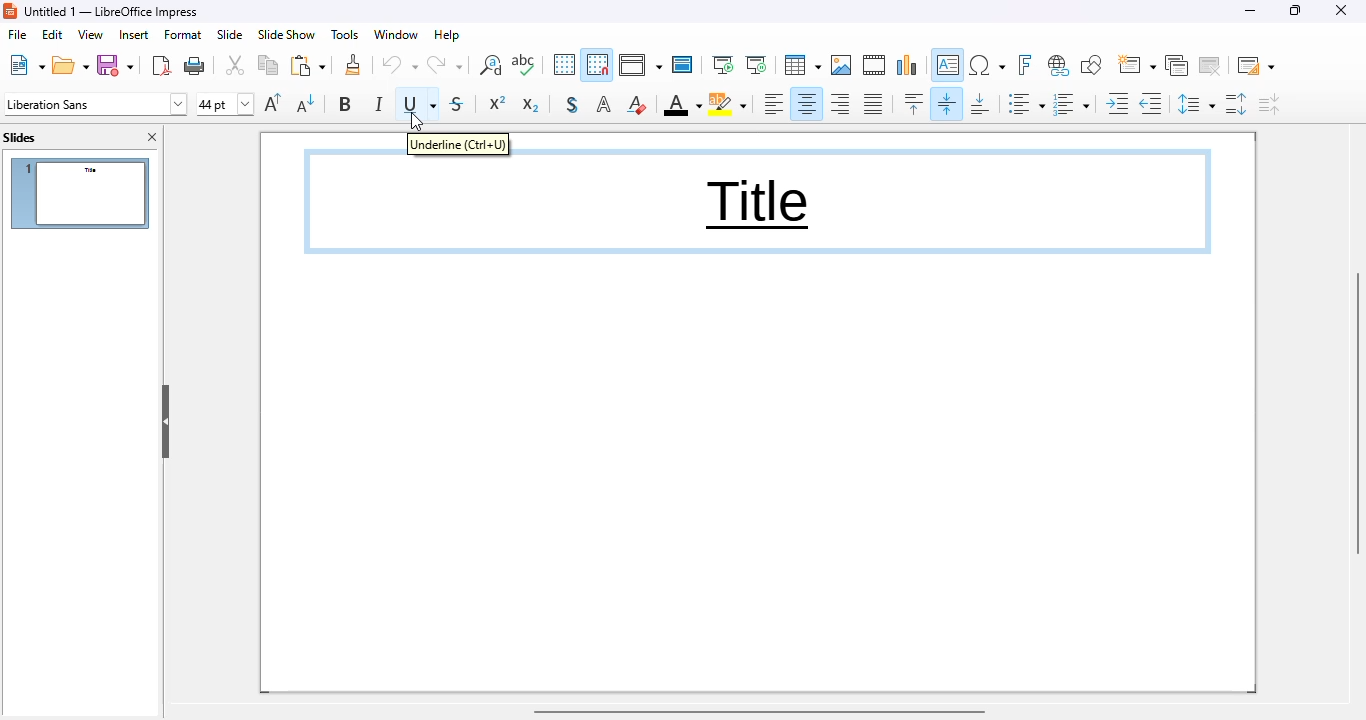 Image resolution: width=1366 pixels, height=720 pixels. What do you see at coordinates (807, 103) in the screenshot?
I see `align center` at bounding box center [807, 103].